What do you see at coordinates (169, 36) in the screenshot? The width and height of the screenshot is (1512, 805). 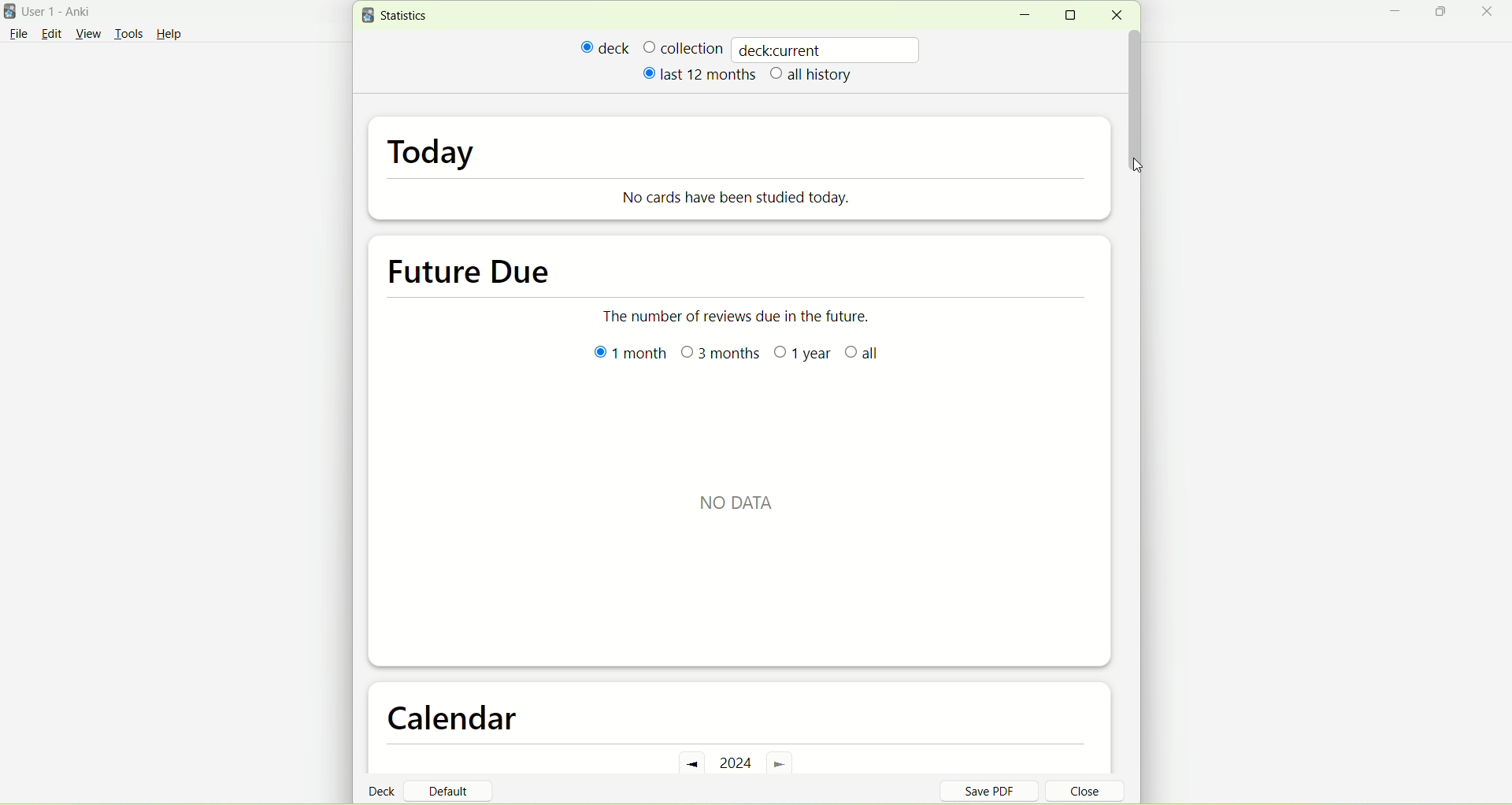 I see `Help` at bounding box center [169, 36].